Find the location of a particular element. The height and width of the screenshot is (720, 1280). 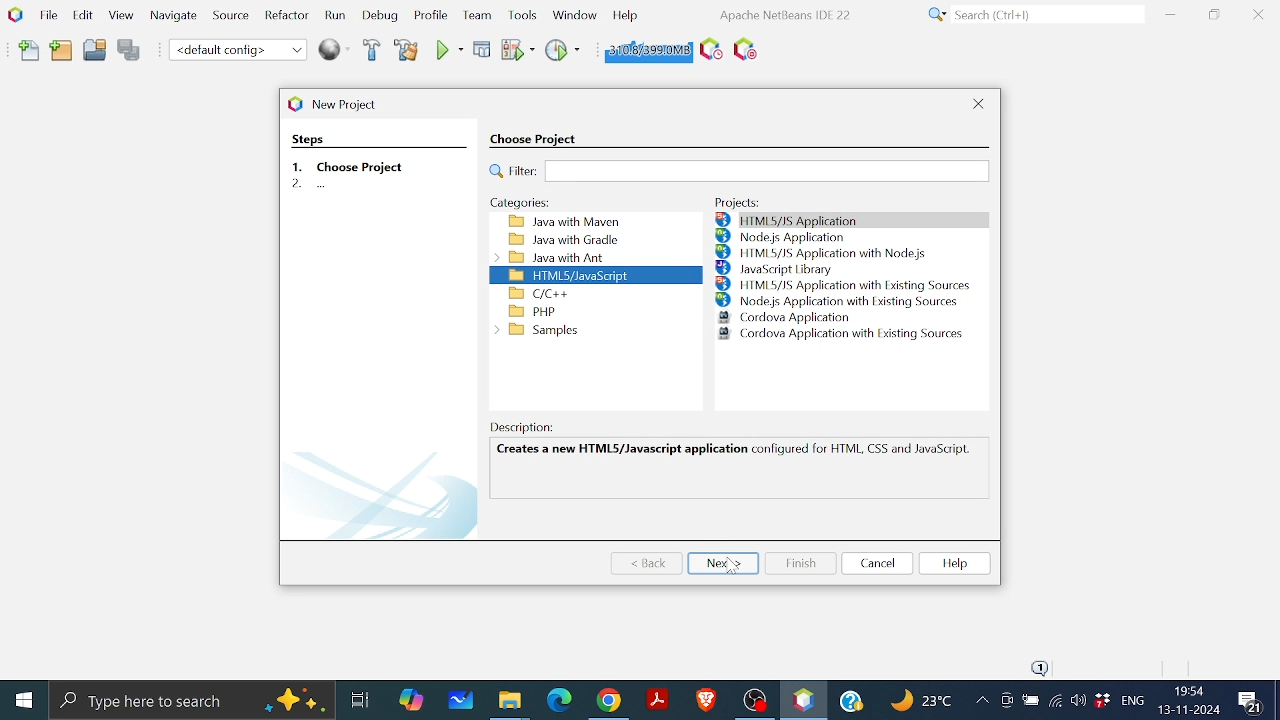

Google chrome is located at coordinates (611, 700).